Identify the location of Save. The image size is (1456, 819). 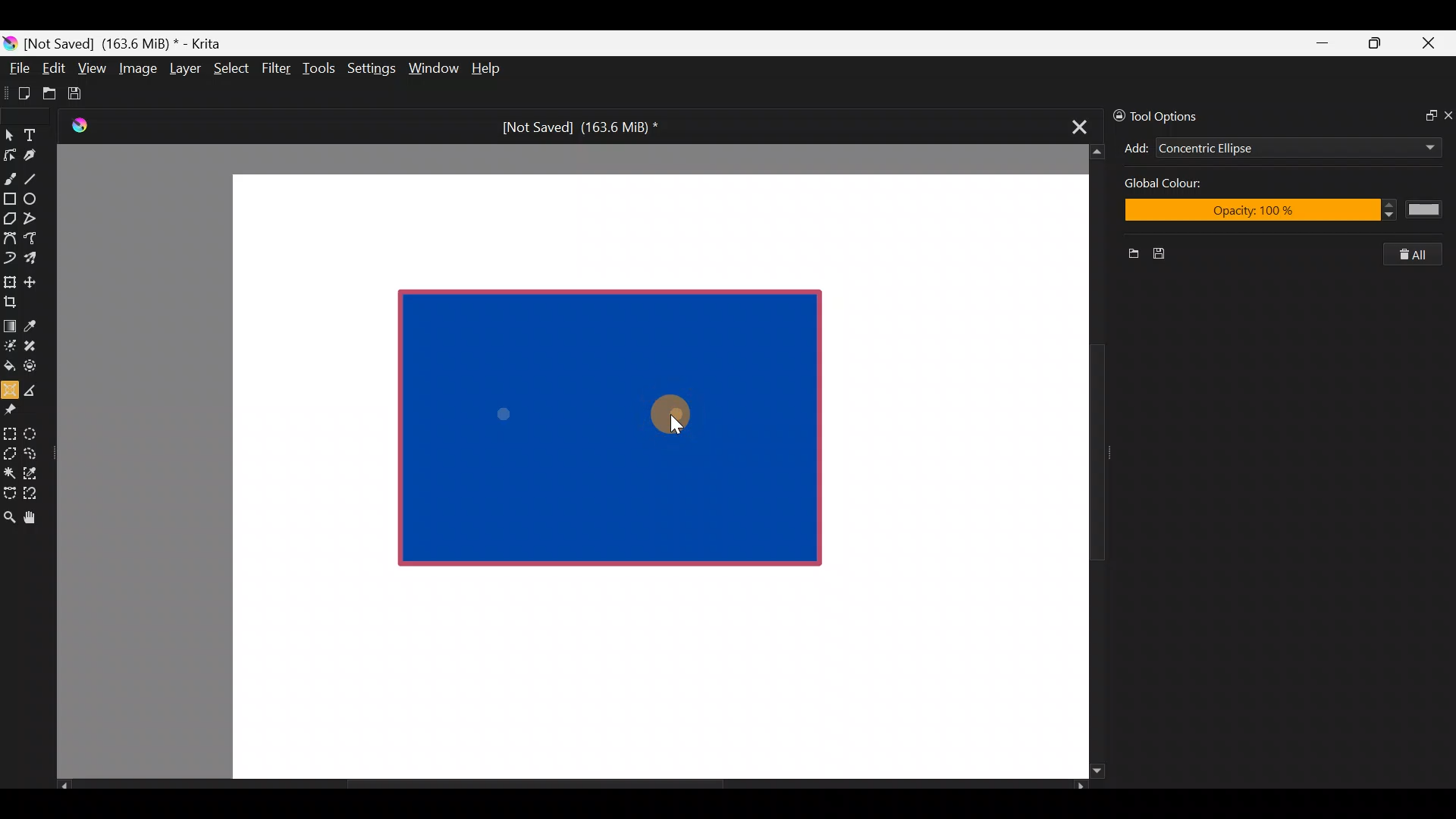
(1165, 254).